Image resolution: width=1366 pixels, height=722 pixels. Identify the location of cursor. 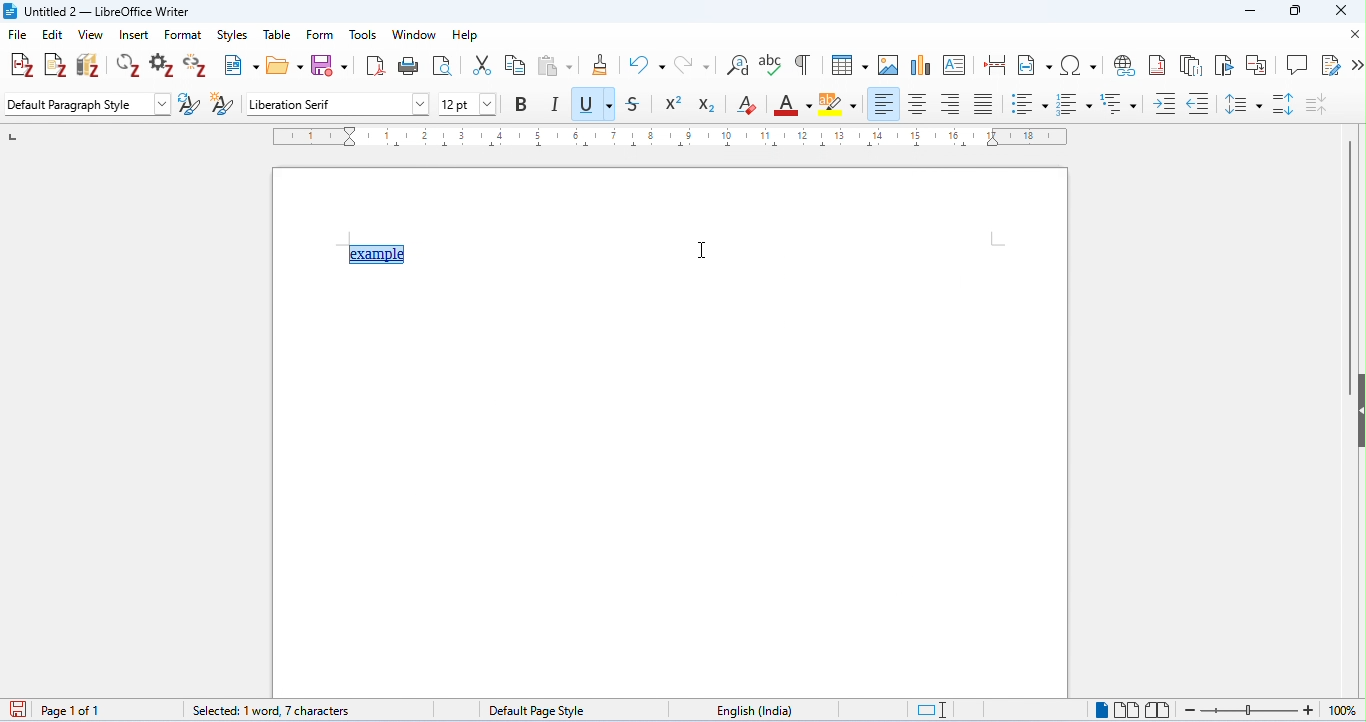
(1134, 77).